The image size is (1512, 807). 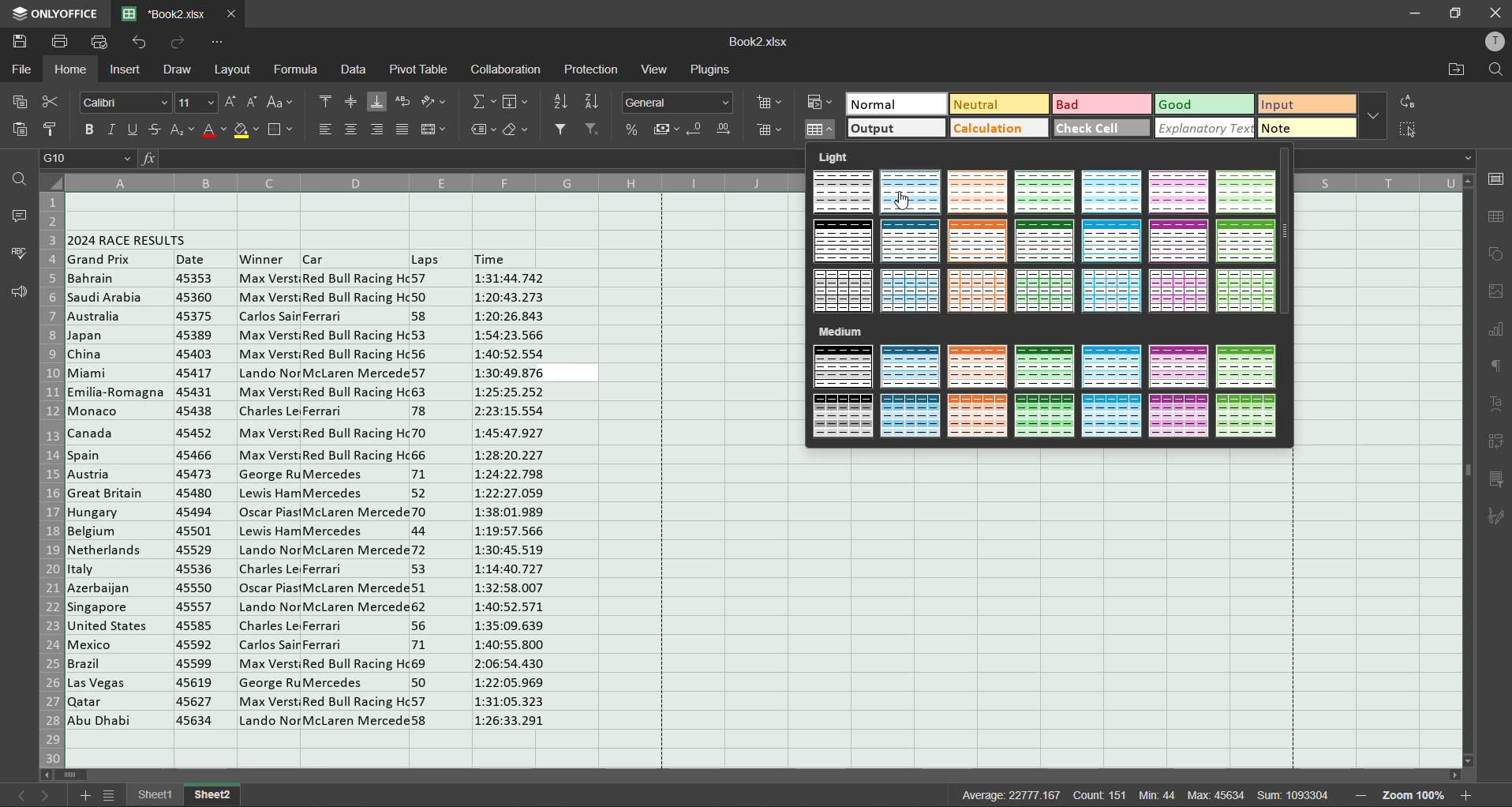 What do you see at coordinates (1099, 106) in the screenshot?
I see `bad` at bounding box center [1099, 106].